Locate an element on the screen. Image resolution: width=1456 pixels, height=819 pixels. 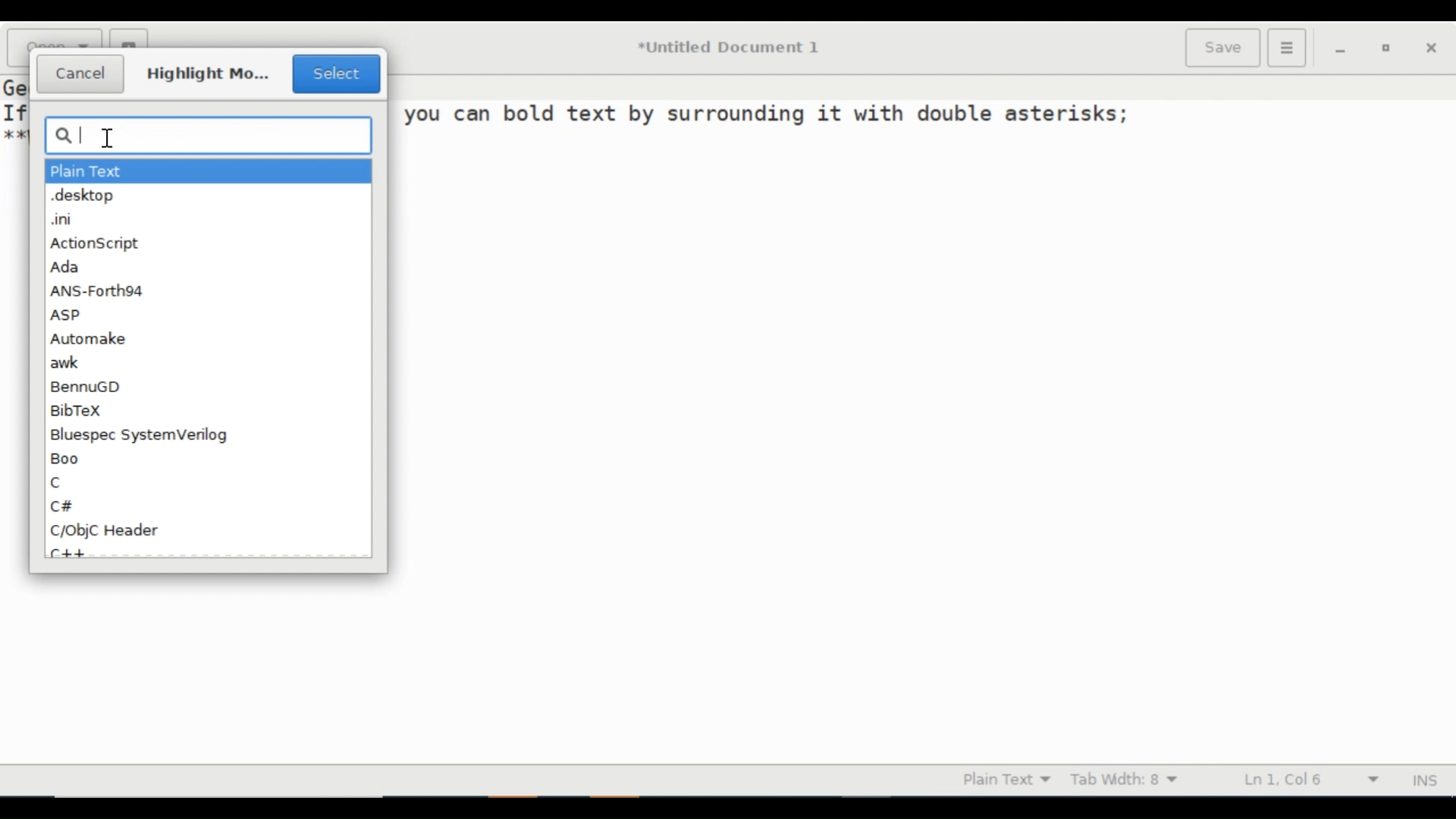
Cancel is located at coordinates (81, 74).